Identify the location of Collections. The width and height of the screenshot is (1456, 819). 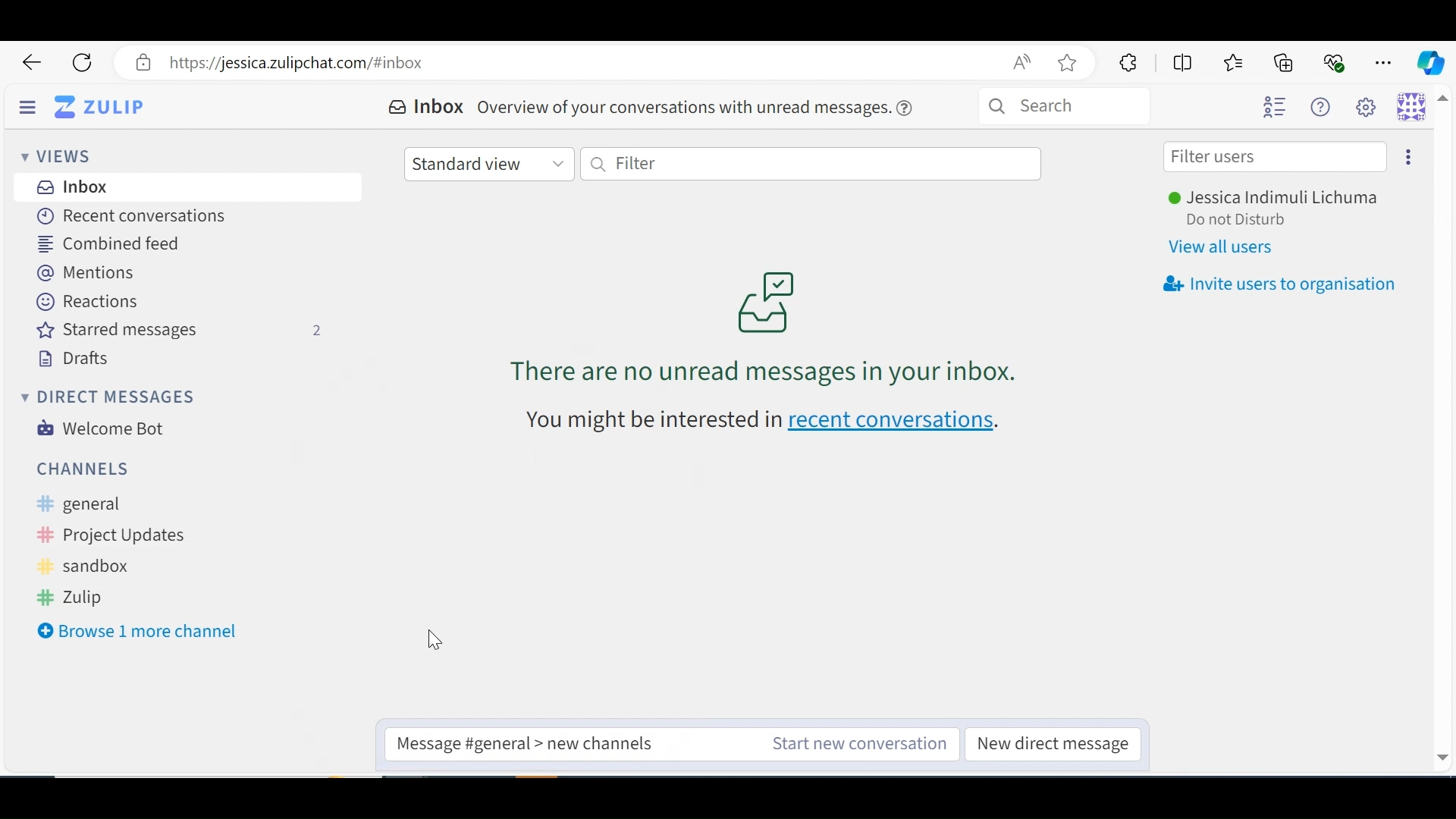
(1286, 61).